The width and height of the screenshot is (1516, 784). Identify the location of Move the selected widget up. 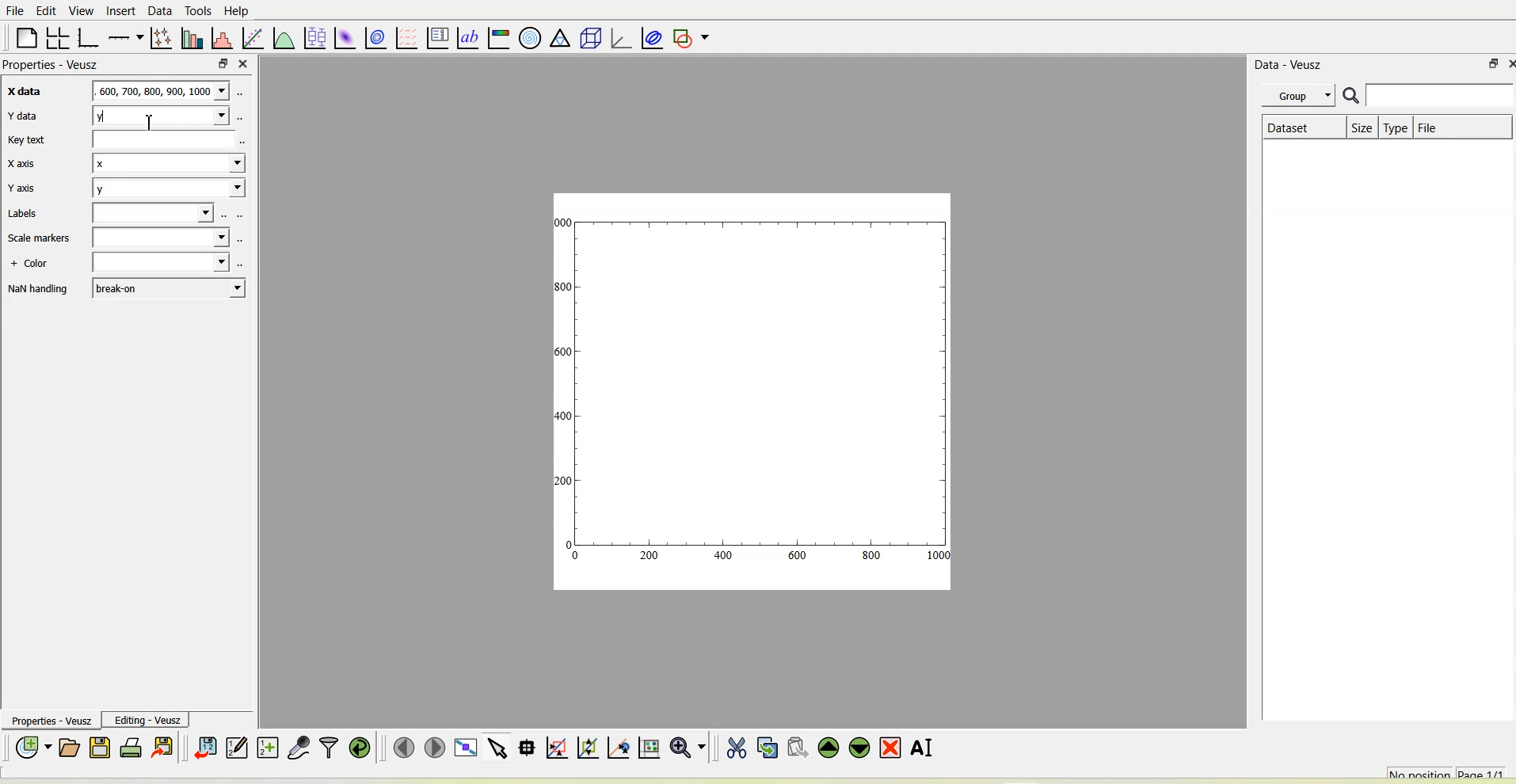
(829, 748).